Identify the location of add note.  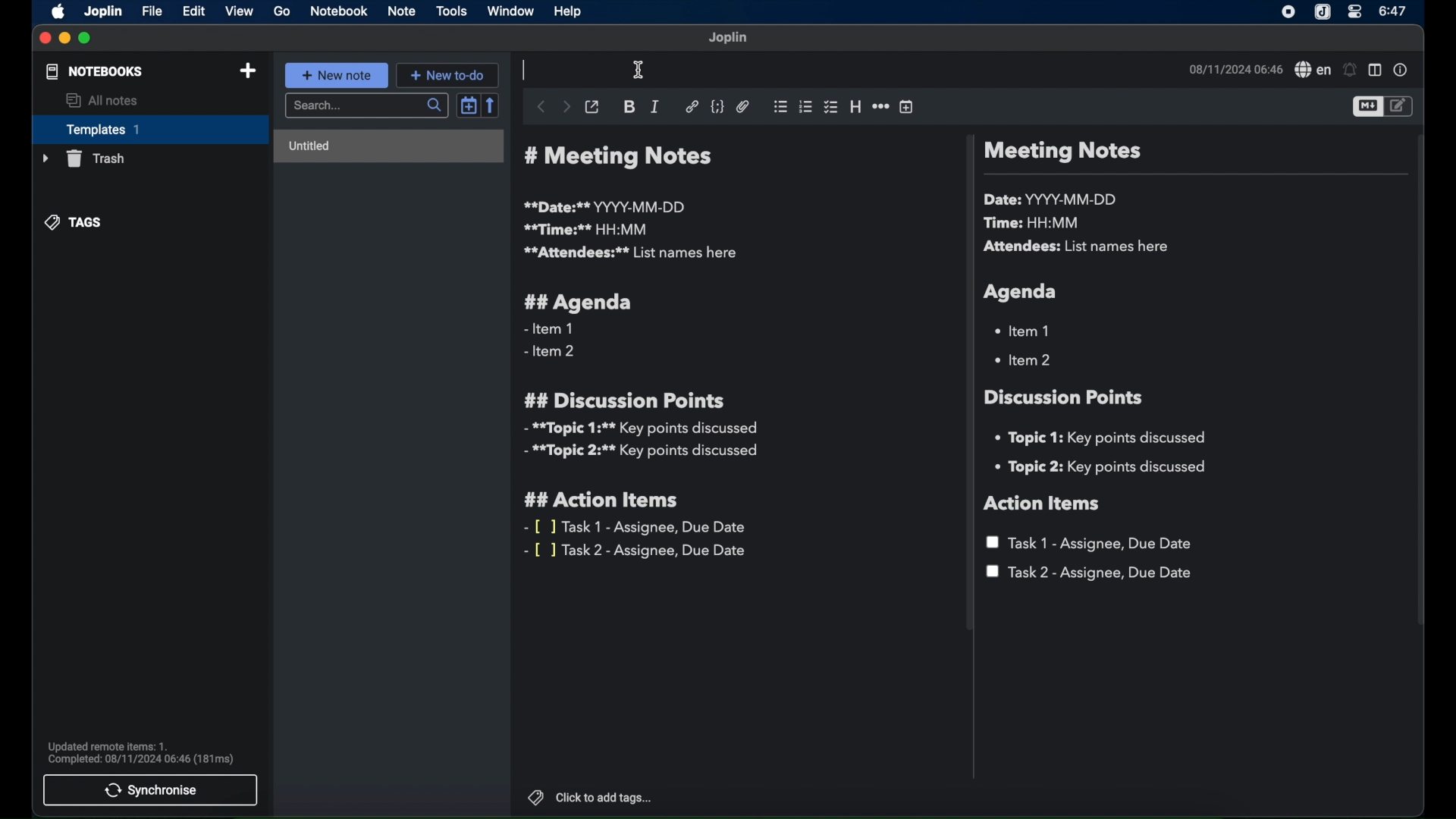
(248, 71).